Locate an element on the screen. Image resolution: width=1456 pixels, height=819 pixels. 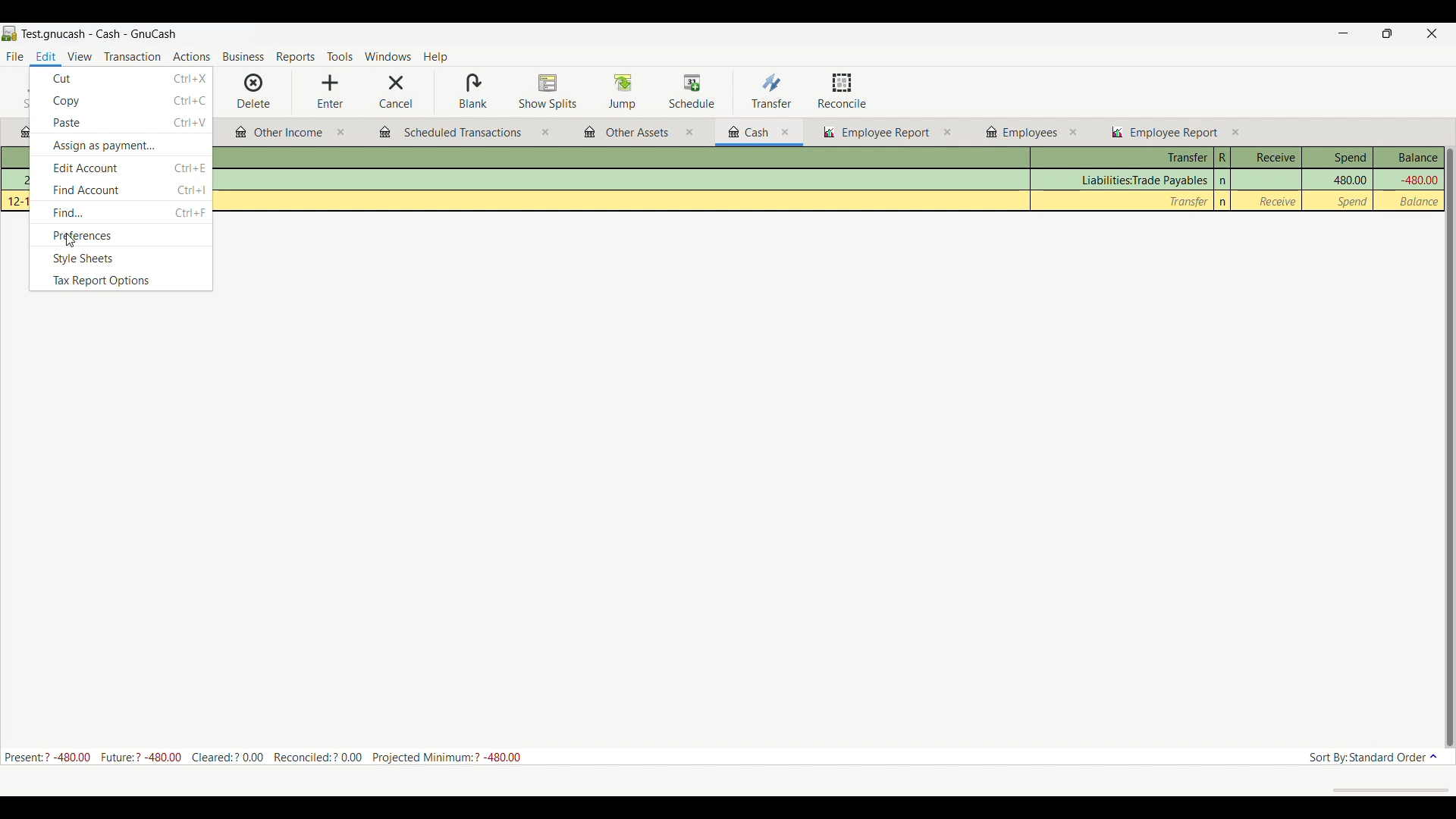
Spend column is located at coordinates (1349, 179).